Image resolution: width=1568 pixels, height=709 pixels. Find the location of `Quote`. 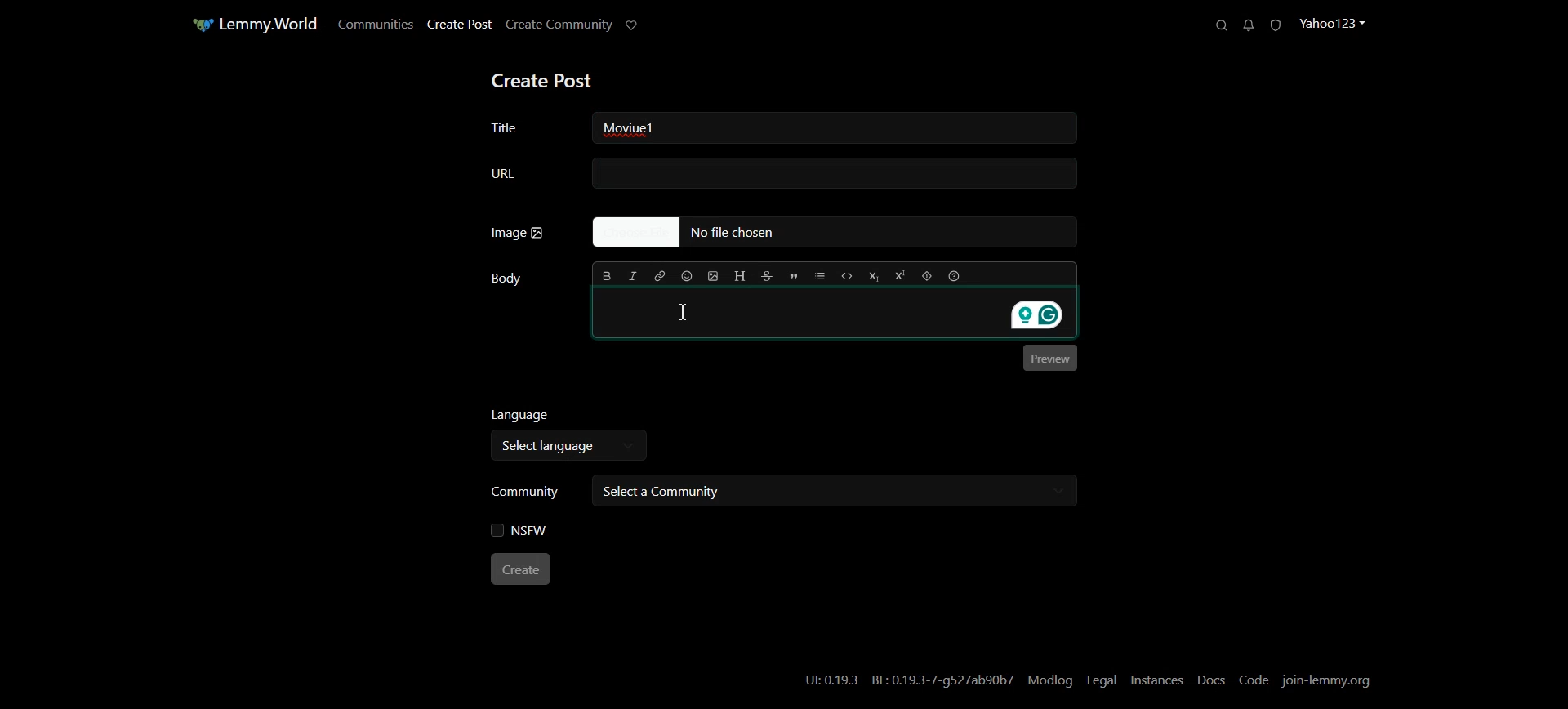

Quote is located at coordinates (794, 277).